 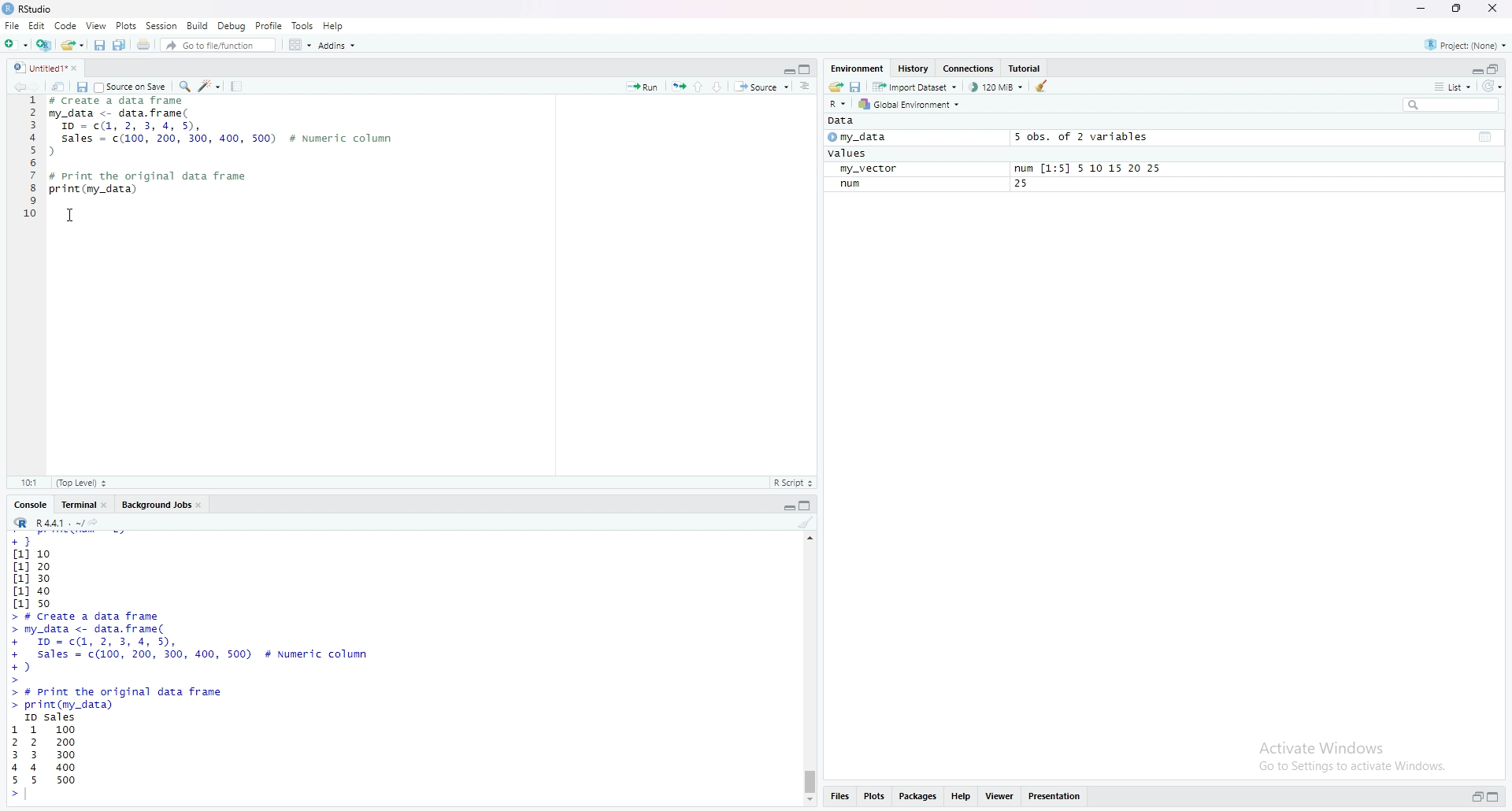 What do you see at coordinates (1497, 794) in the screenshot?
I see `maximize` at bounding box center [1497, 794].